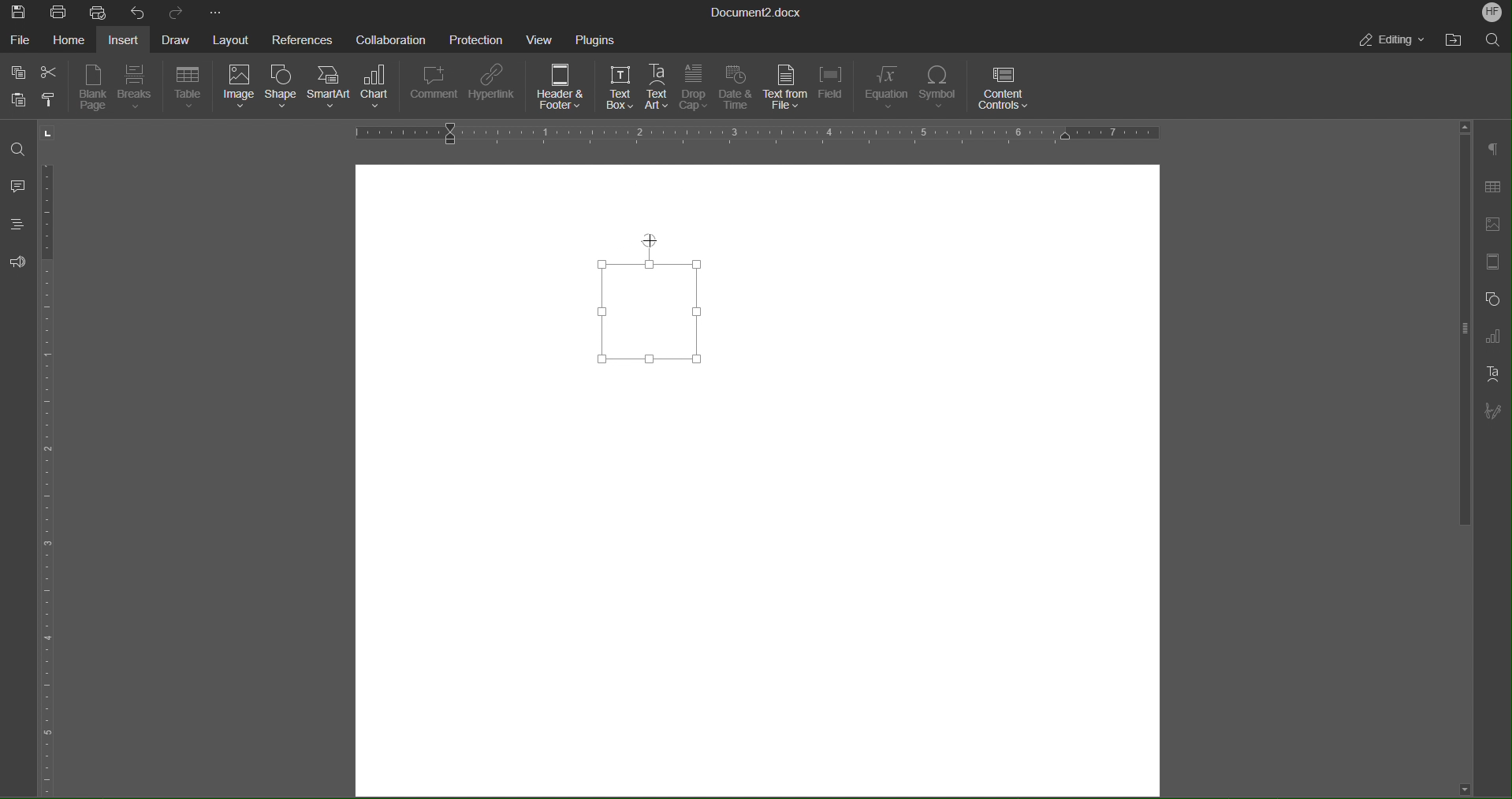 The width and height of the screenshot is (1512, 799). What do you see at coordinates (1456, 39) in the screenshot?
I see `Open File Location` at bounding box center [1456, 39].